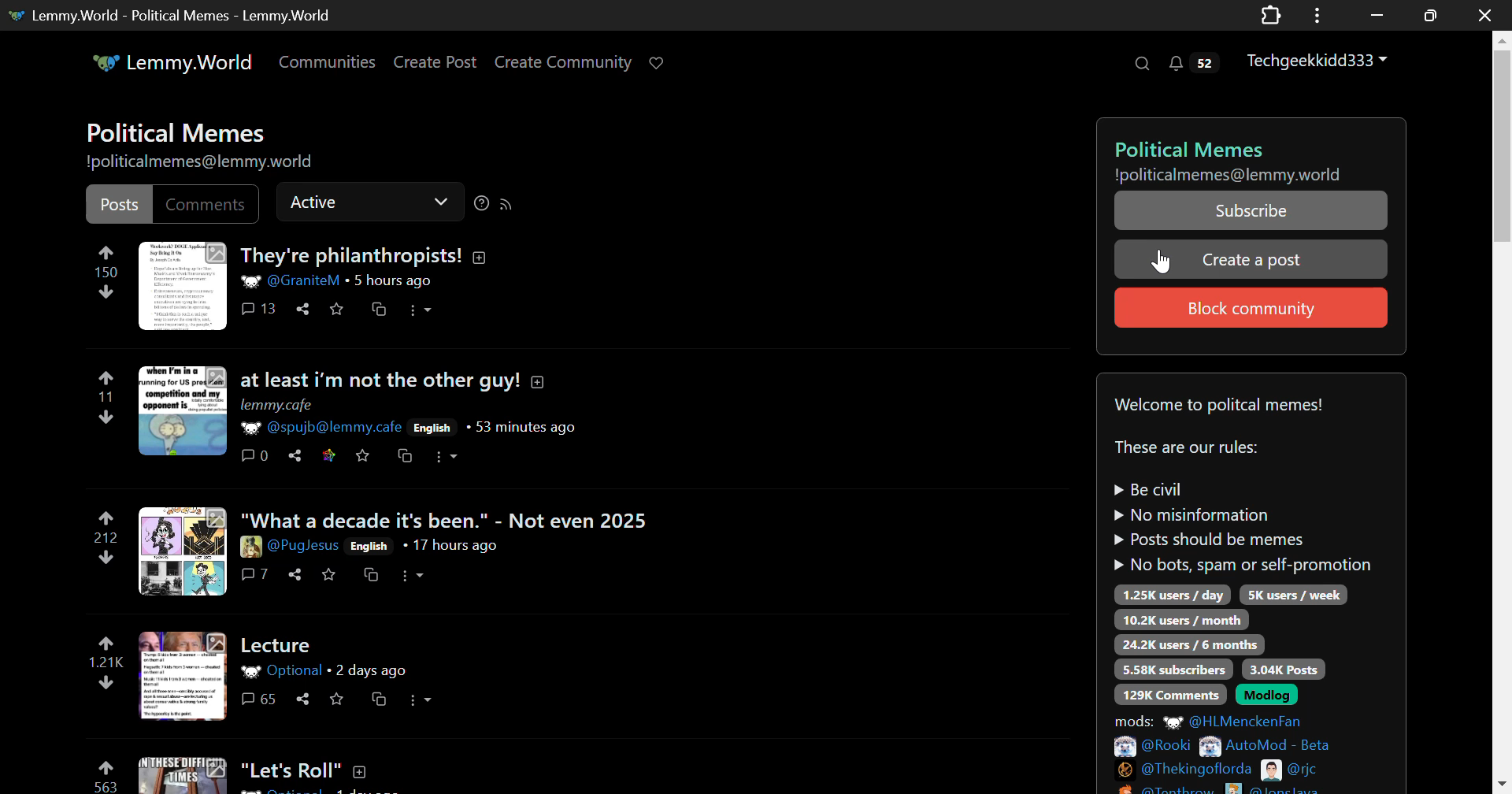  What do you see at coordinates (372, 547) in the screenshot?
I see `English` at bounding box center [372, 547].